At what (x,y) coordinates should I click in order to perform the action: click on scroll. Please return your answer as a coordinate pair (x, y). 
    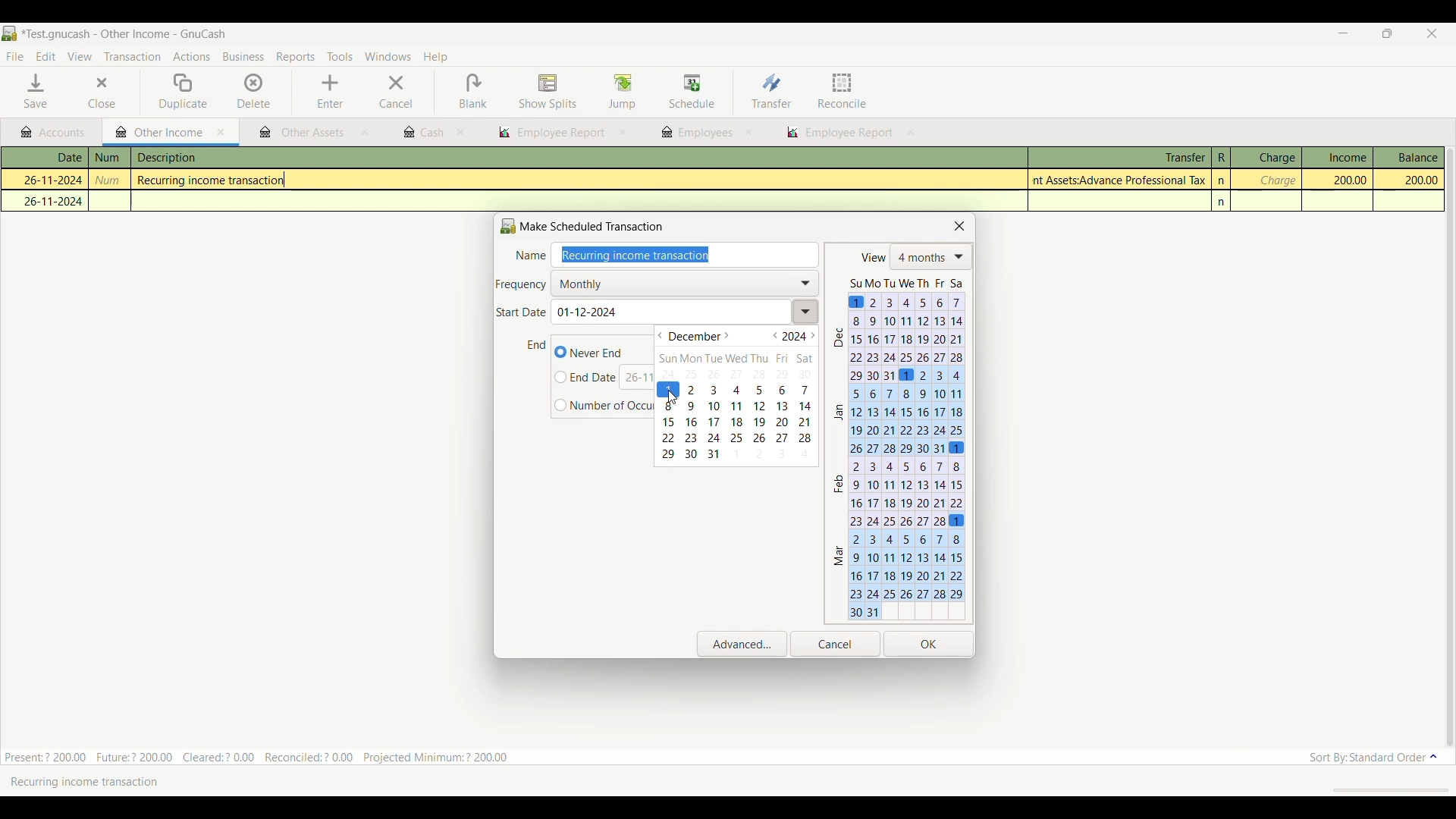
    Looking at the image, I should click on (1382, 789).